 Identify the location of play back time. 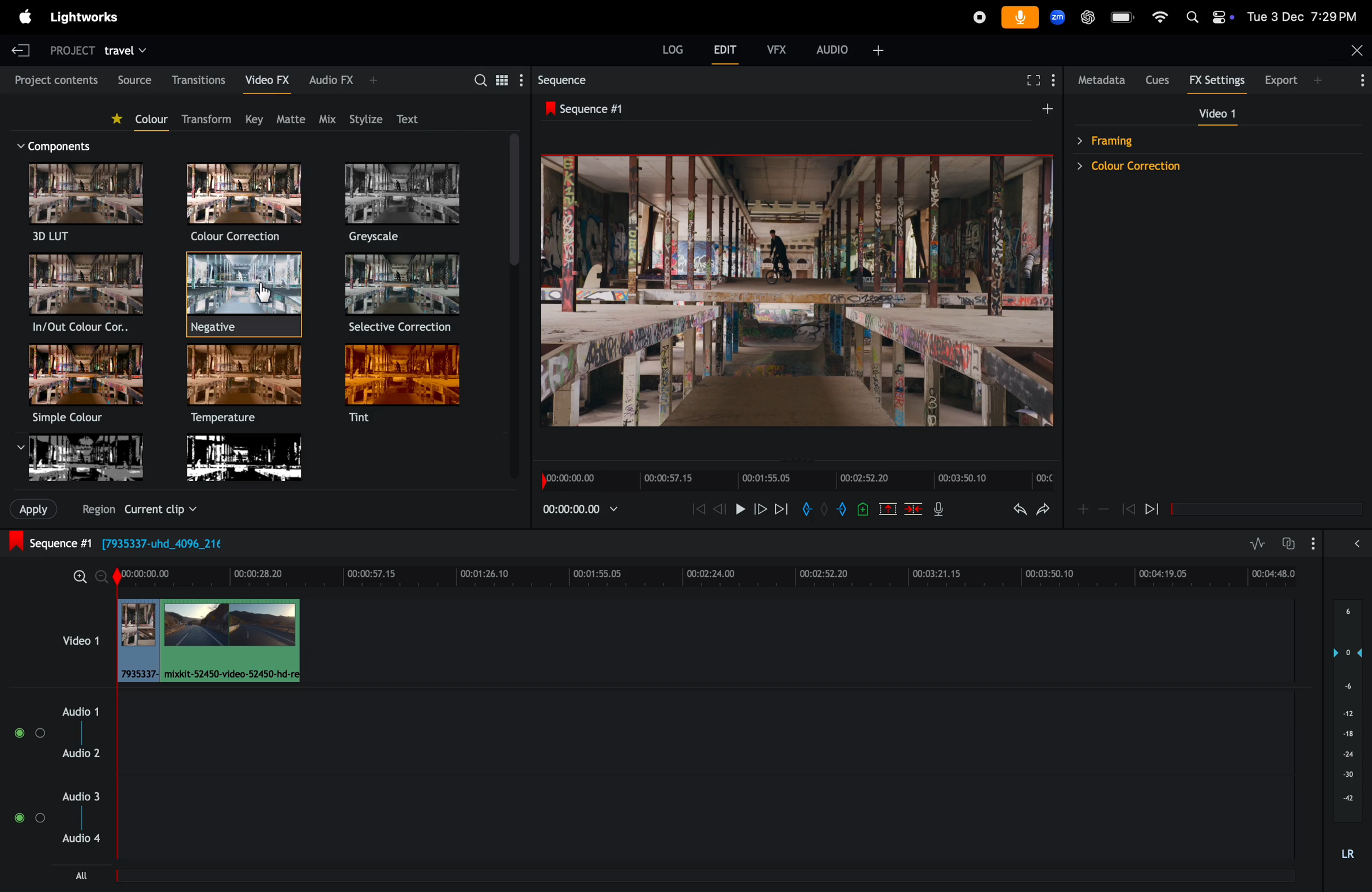
(578, 511).